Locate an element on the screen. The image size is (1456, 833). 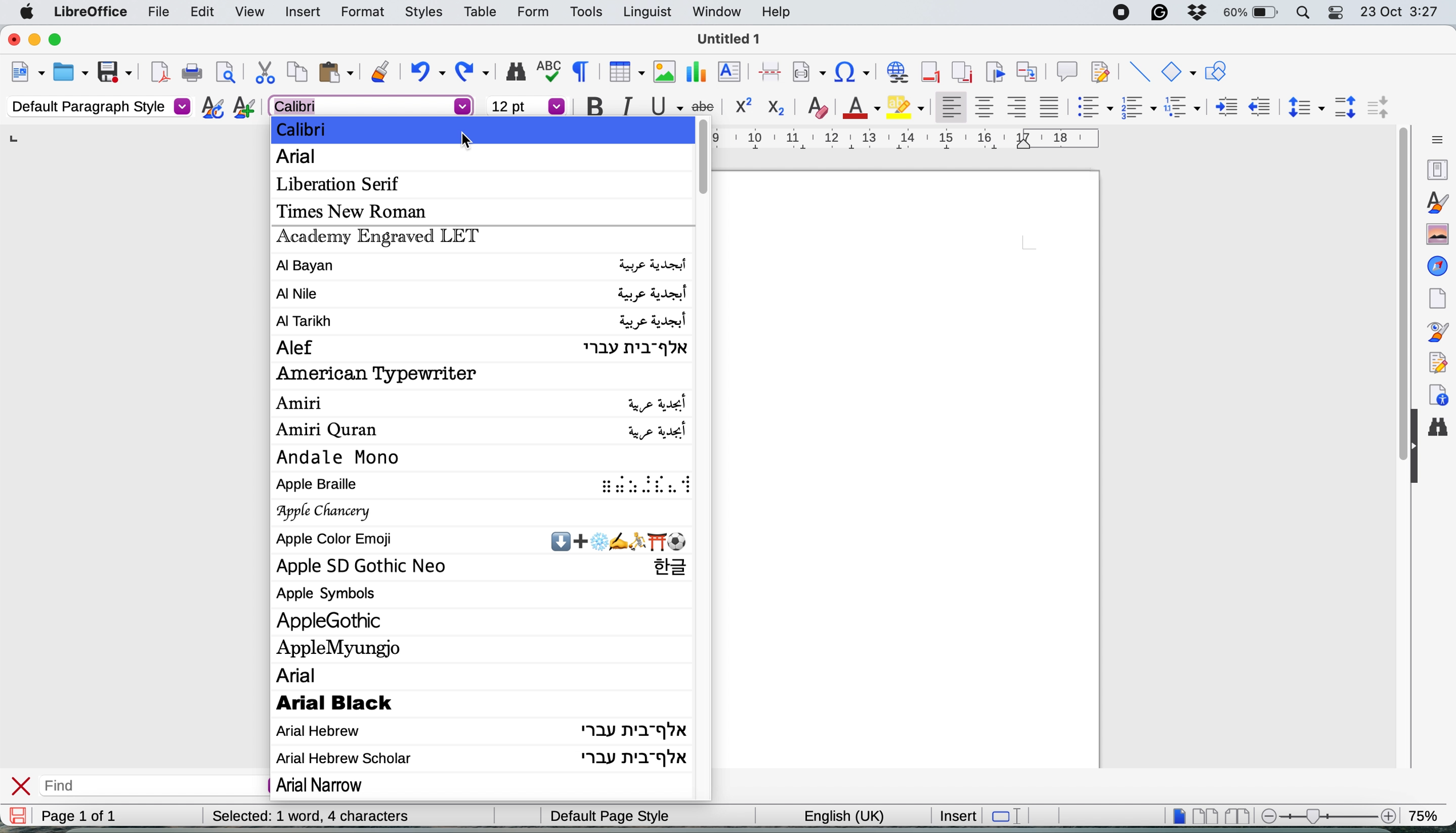
al bayan is located at coordinates (479, 267).